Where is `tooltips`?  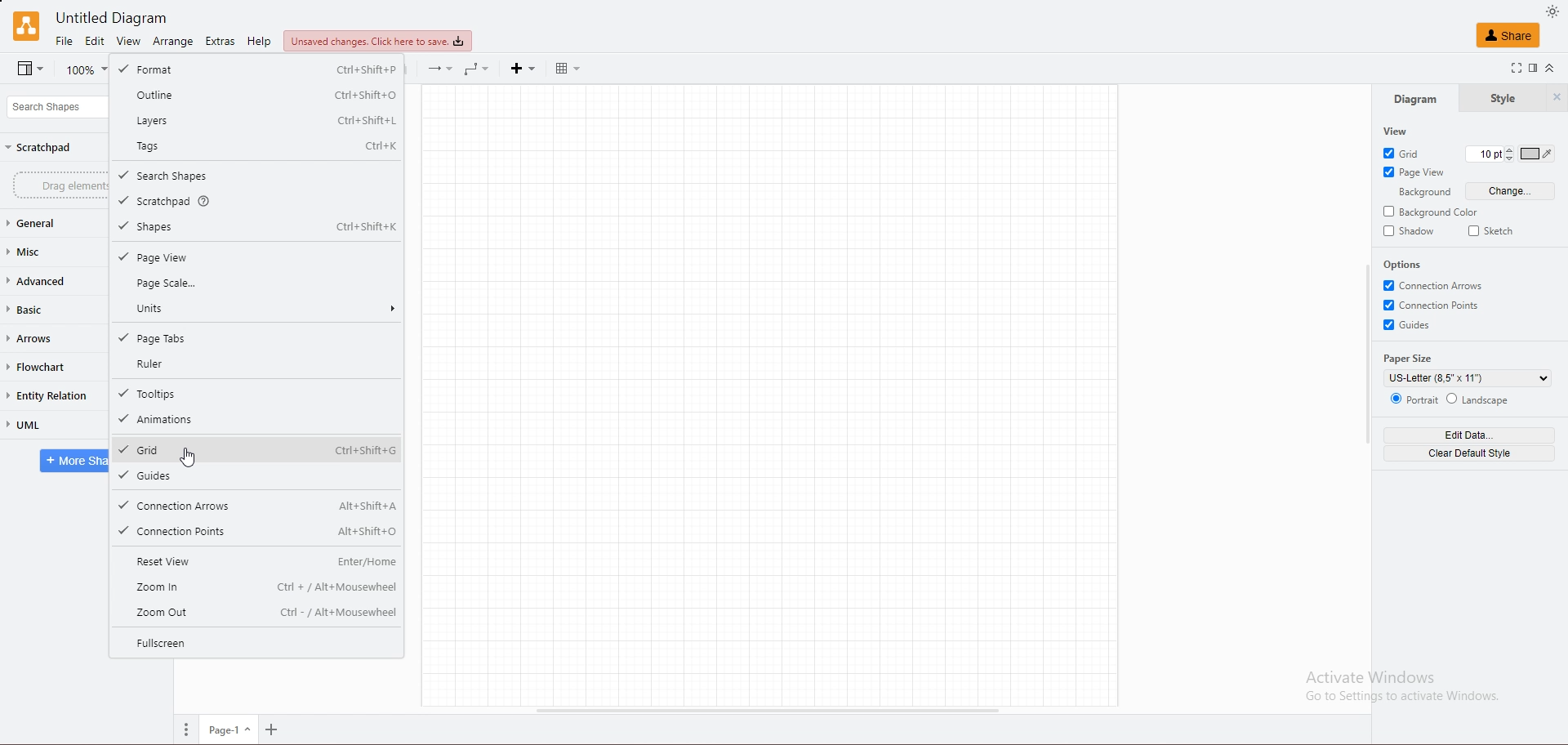 tooltips is located at coordinates (256, 394).